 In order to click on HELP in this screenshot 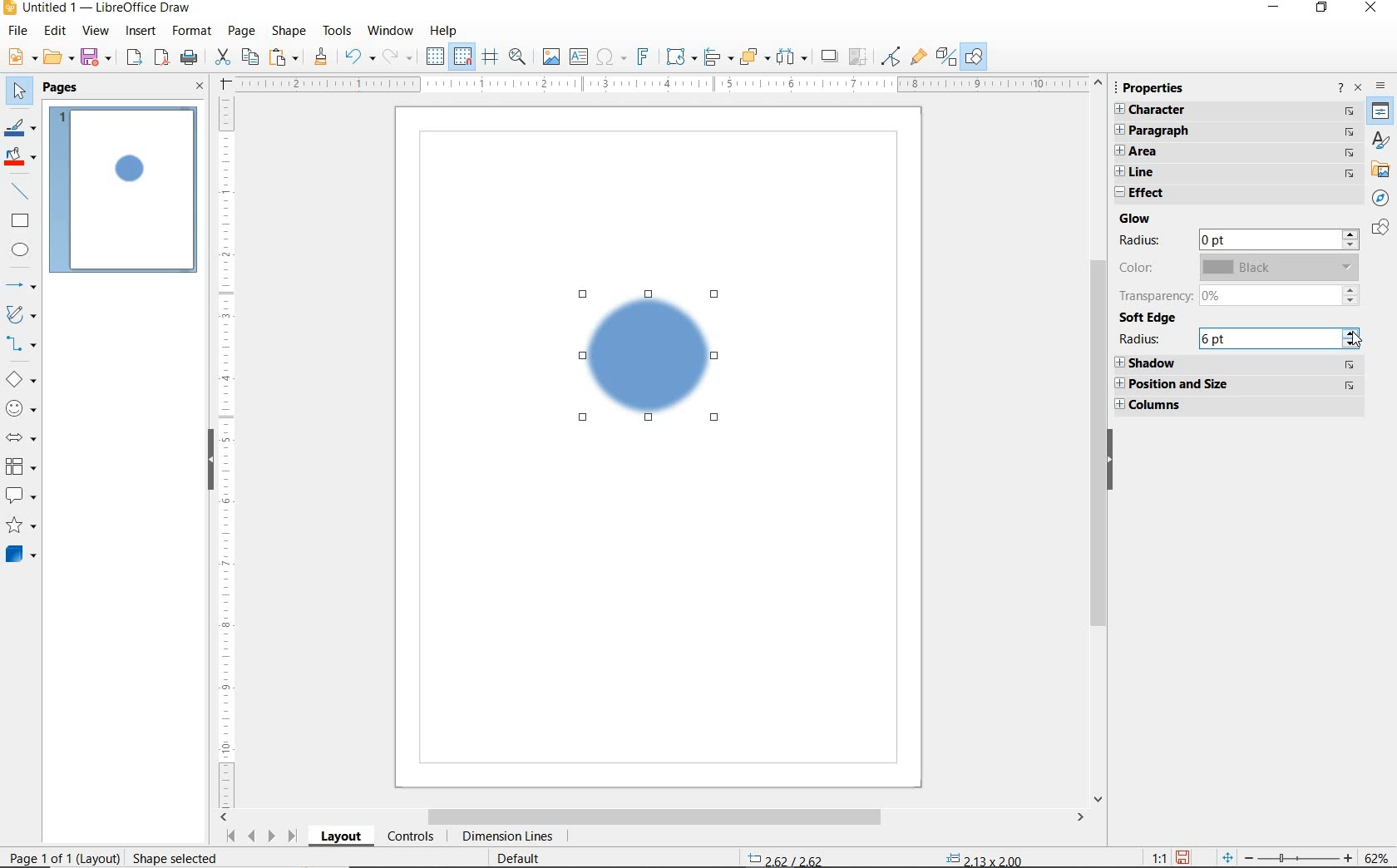, I will do `click(444, 32)`.